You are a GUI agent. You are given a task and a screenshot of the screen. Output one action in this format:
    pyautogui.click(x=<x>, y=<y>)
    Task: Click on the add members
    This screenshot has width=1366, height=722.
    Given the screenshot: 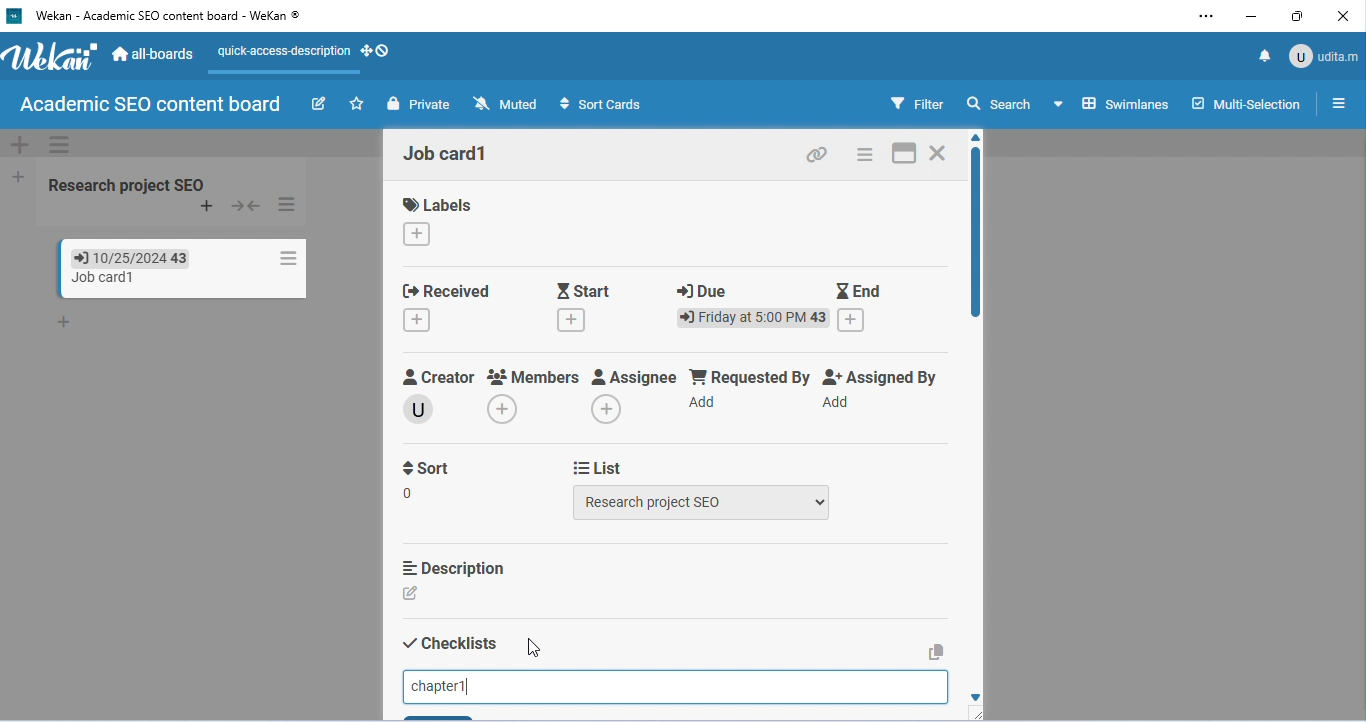 What is the action you would take?
    pyautogui.click(x=510, y=411)
    